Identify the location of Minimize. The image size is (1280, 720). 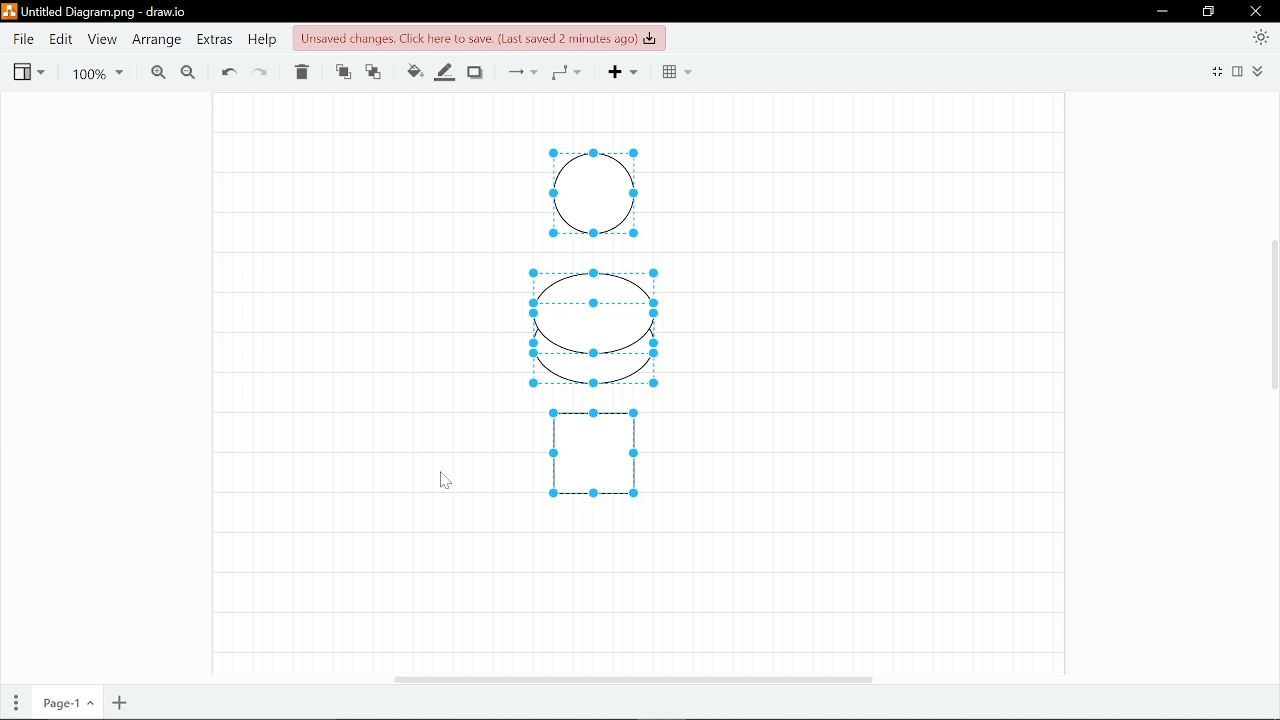
(1162, 12).